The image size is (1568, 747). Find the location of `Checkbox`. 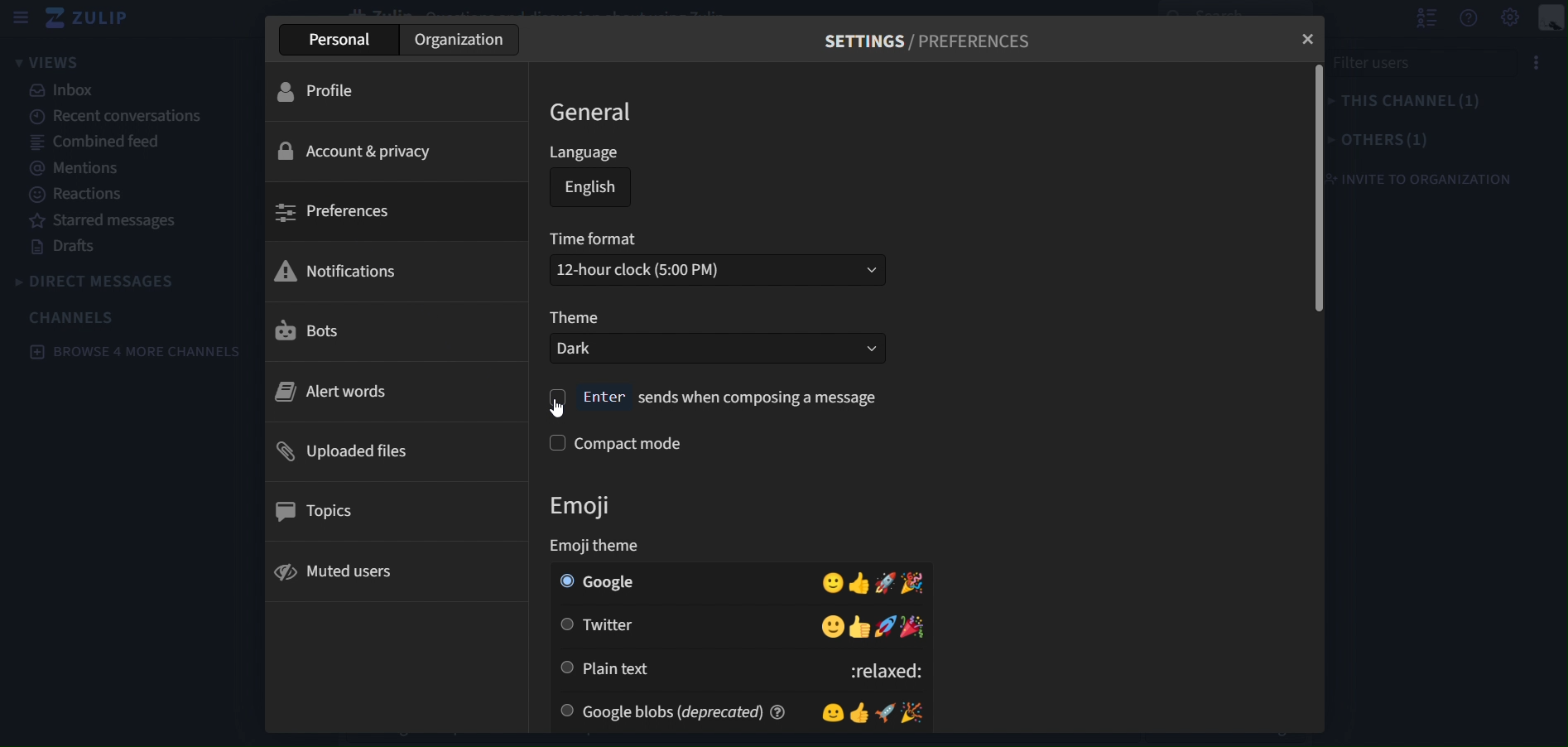

Checkbox is located at coordinates (564, 581).